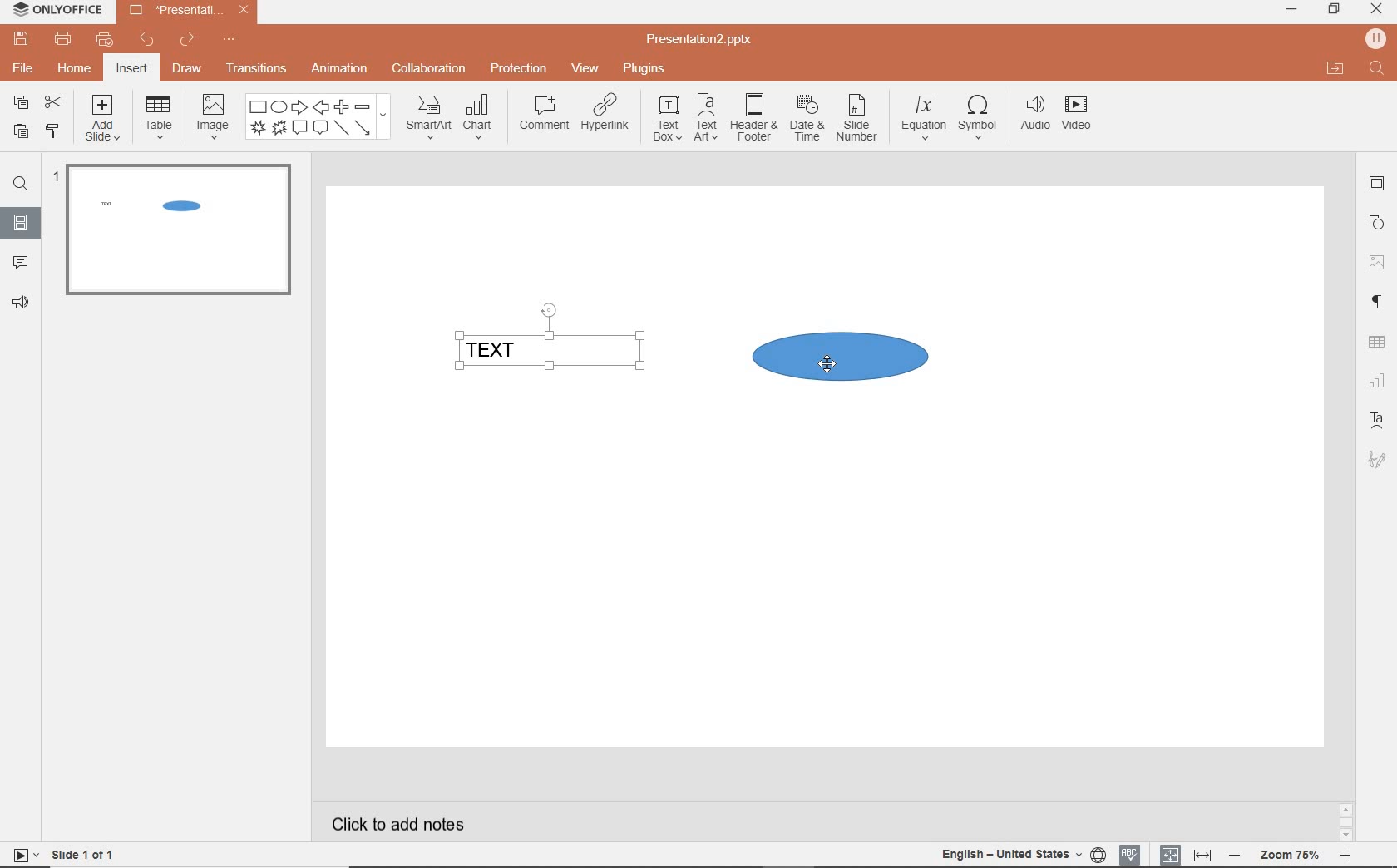  What do you see at coordinates (1289, 857) in the screenshot?
I see `ZOOM` at bounding box center [1289, 857].